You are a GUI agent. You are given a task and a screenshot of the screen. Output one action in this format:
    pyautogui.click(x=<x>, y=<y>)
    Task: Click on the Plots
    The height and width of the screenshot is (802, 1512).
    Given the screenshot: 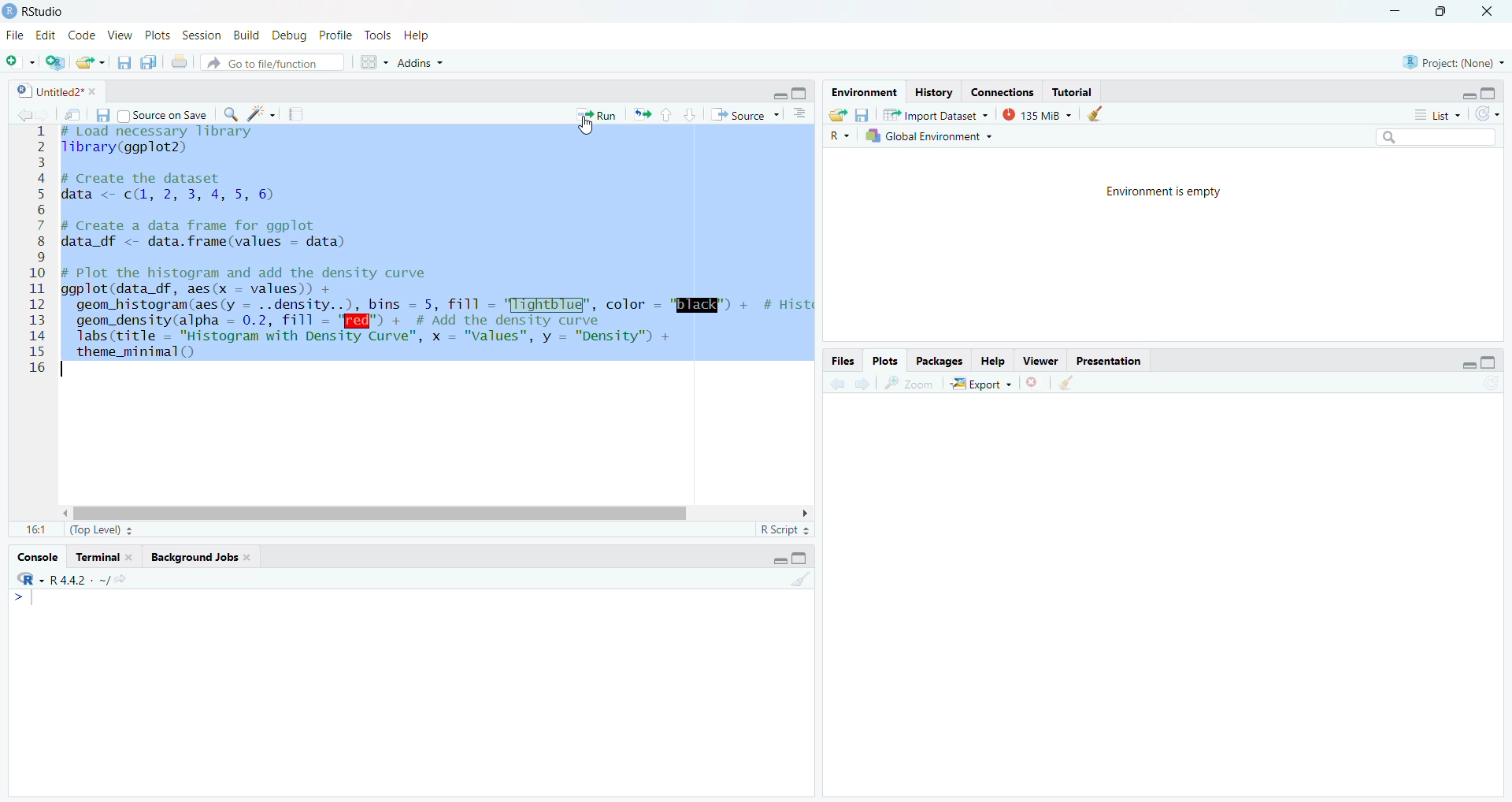 What is the action you would take?
    pyautogui.click(x=885, y=359)
    